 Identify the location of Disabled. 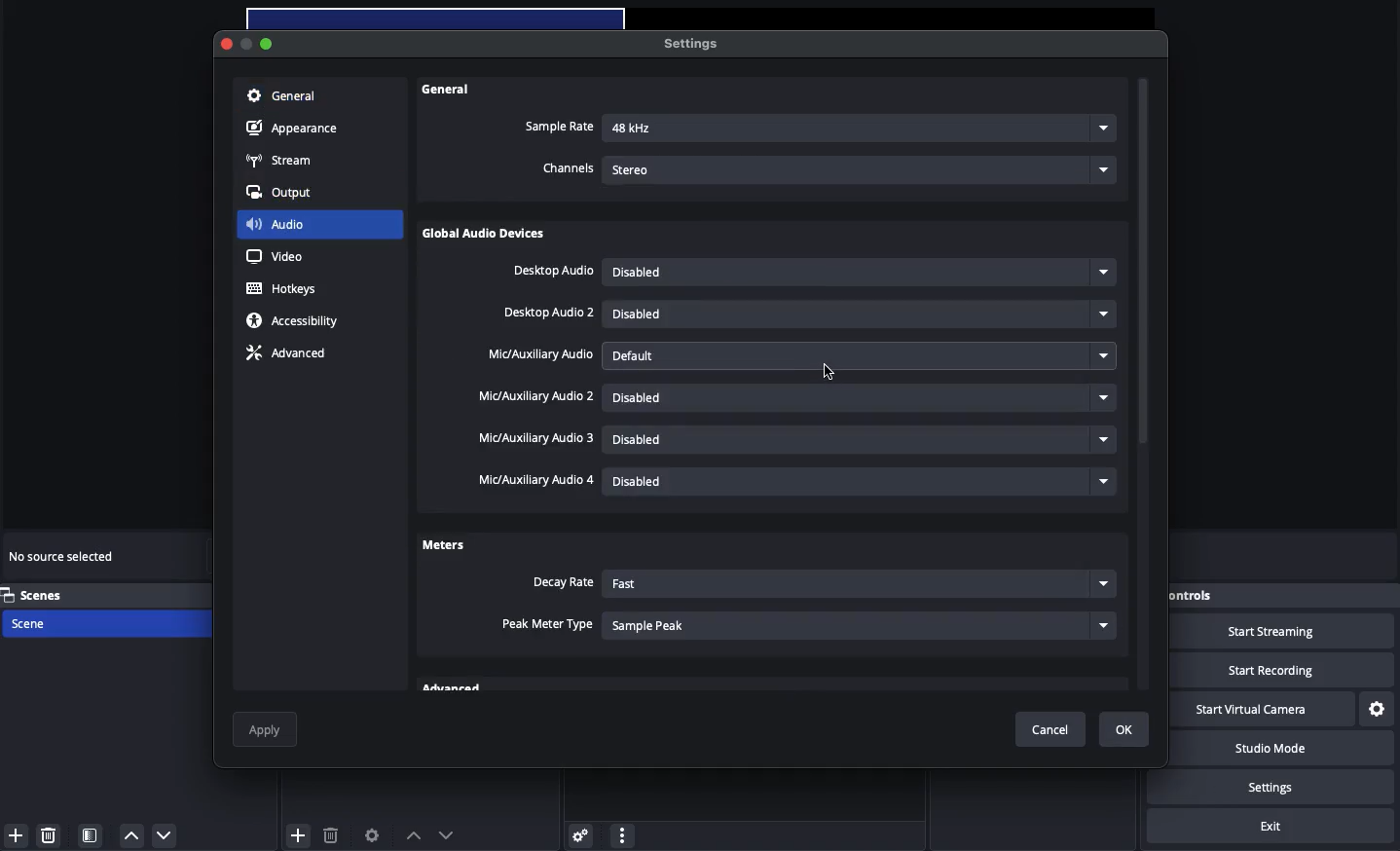
(864, 480).